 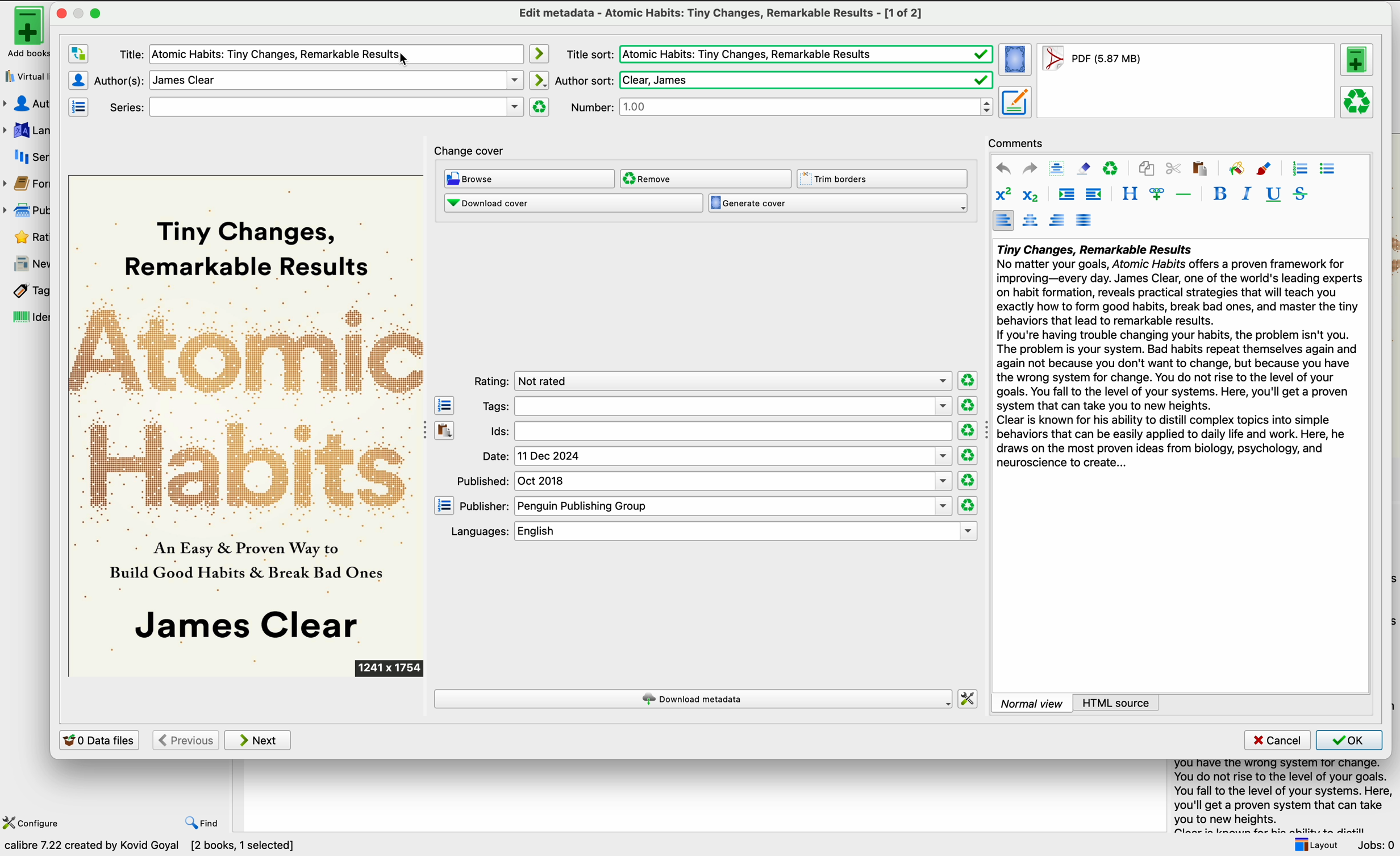 What do you see at coordinates (311, 106) in the screenshot?
I see `series` at bounding box center [311, 106].